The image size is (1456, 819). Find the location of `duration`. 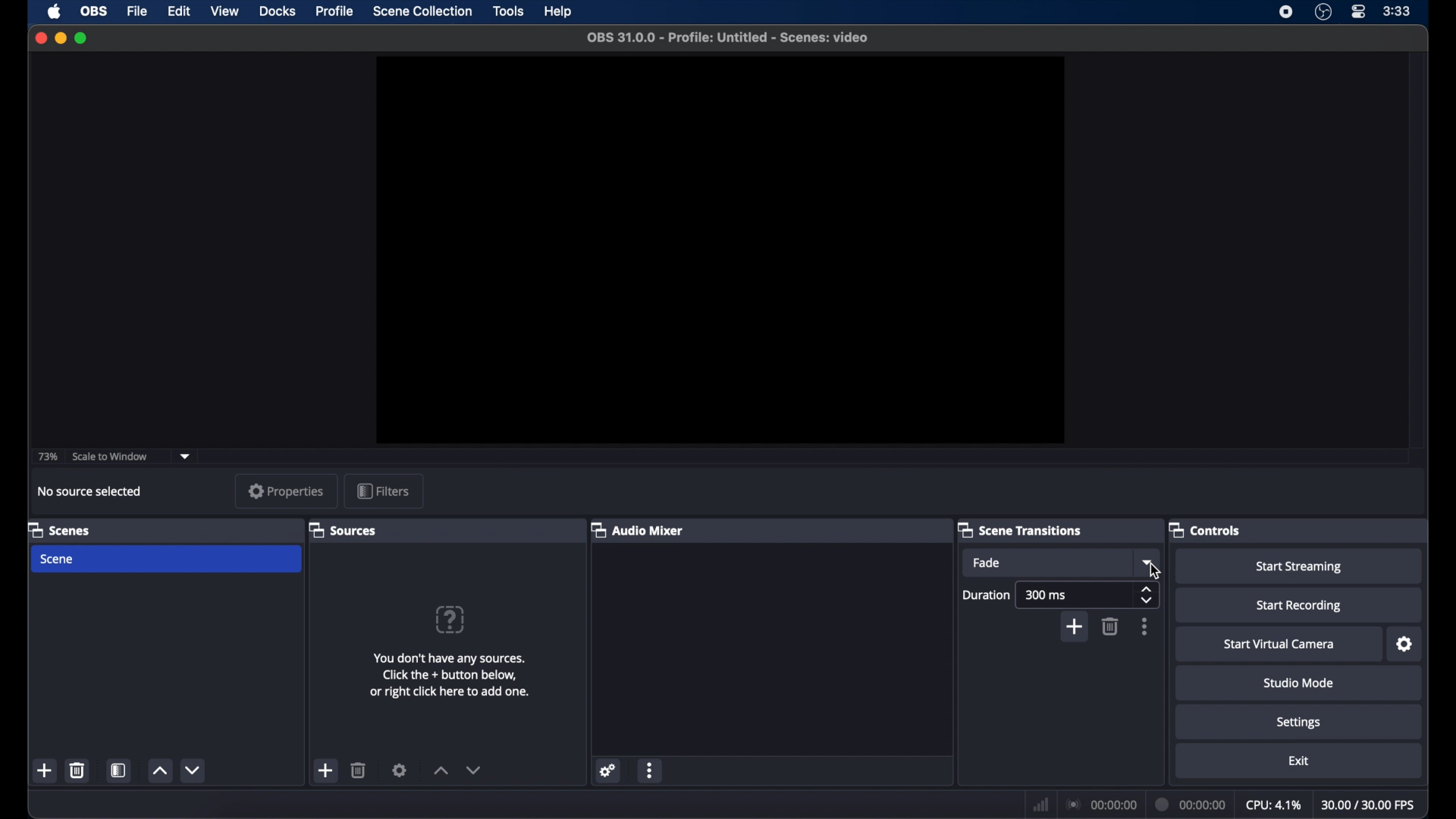

duration is located at coordinates (1192, 802).